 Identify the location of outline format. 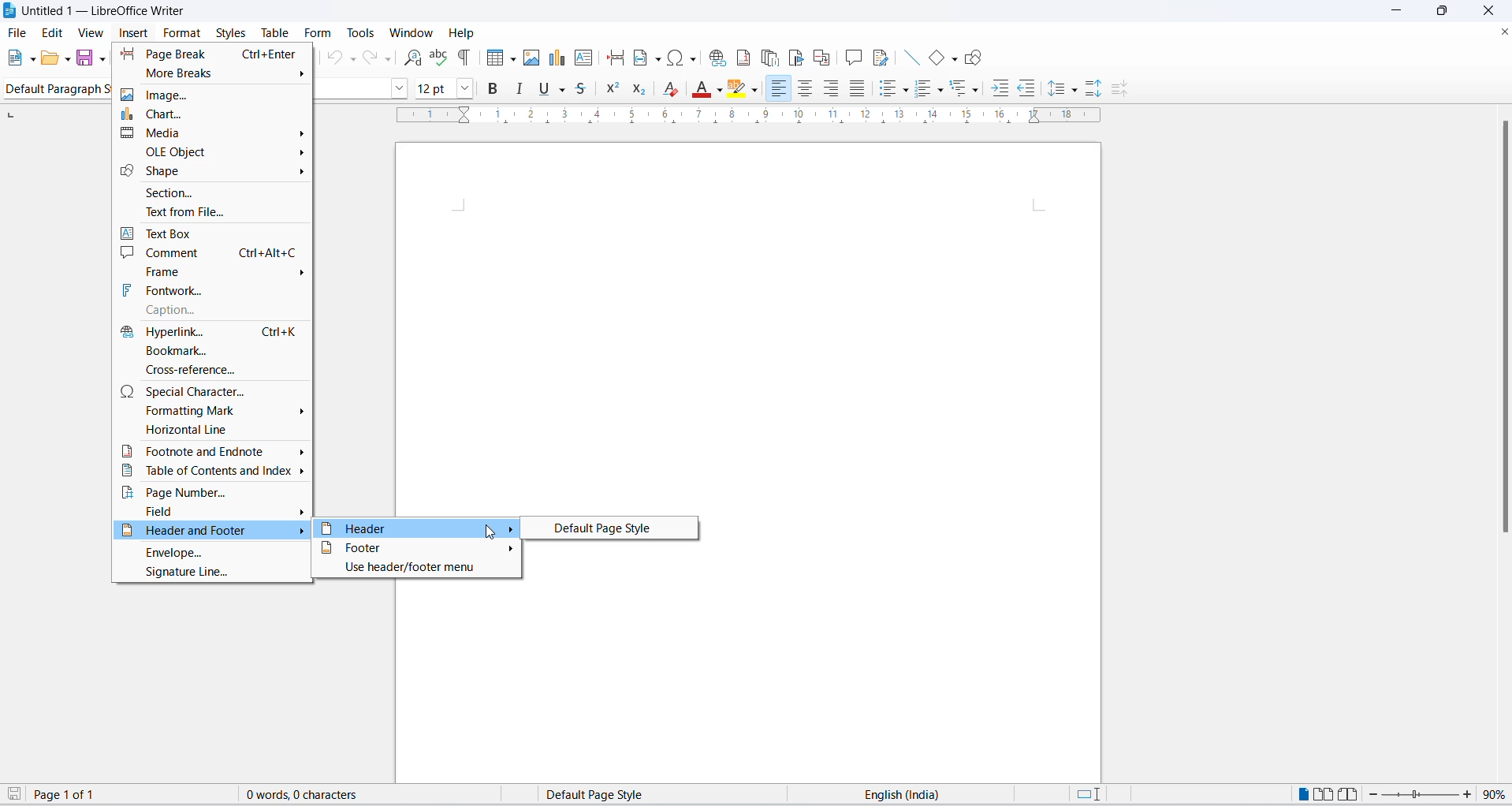
(963, 91).